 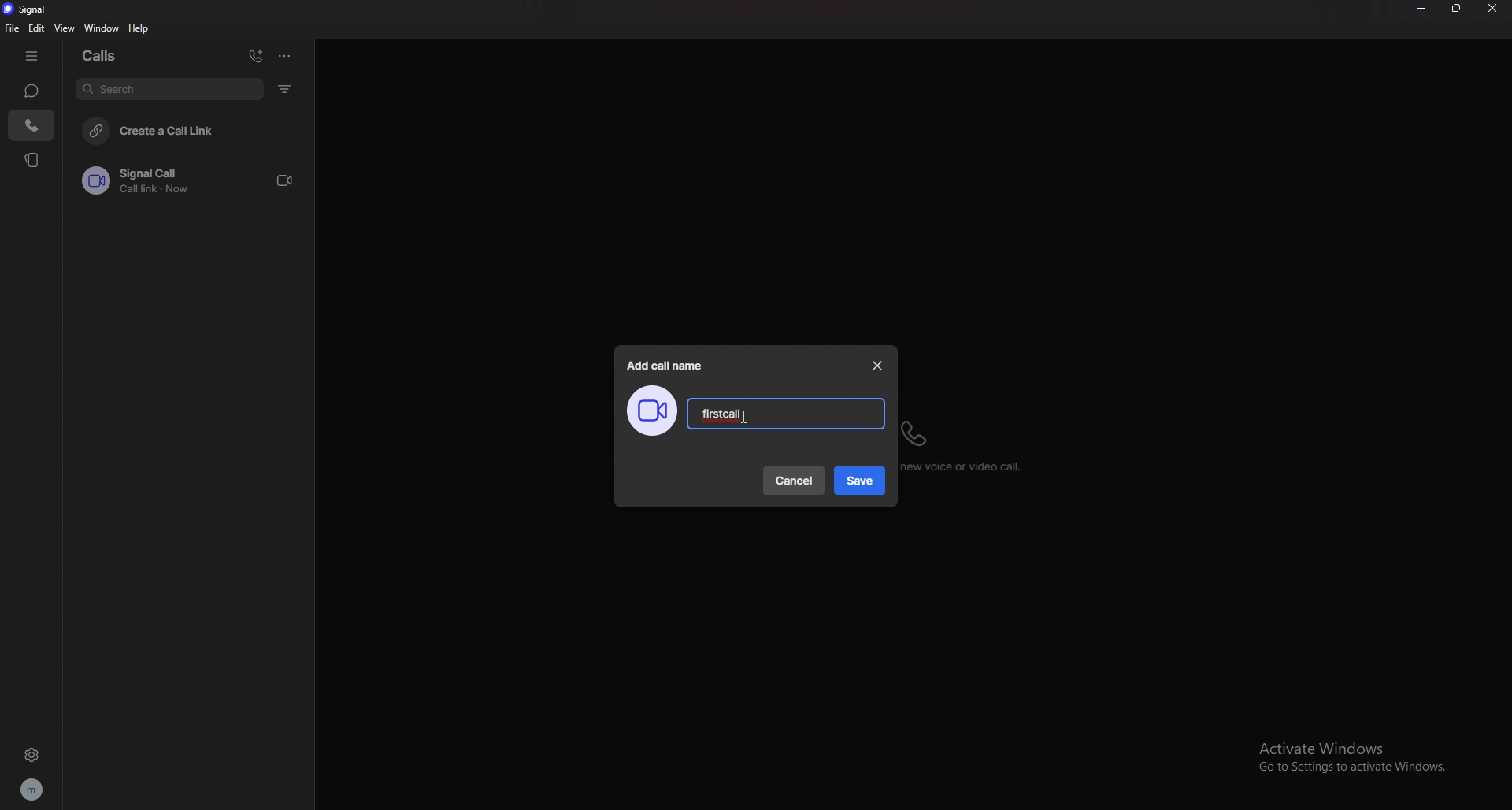 What do you see at coordinates (32, 125) in the screenshot?
I see `calls` at bounding box center [32, 125].